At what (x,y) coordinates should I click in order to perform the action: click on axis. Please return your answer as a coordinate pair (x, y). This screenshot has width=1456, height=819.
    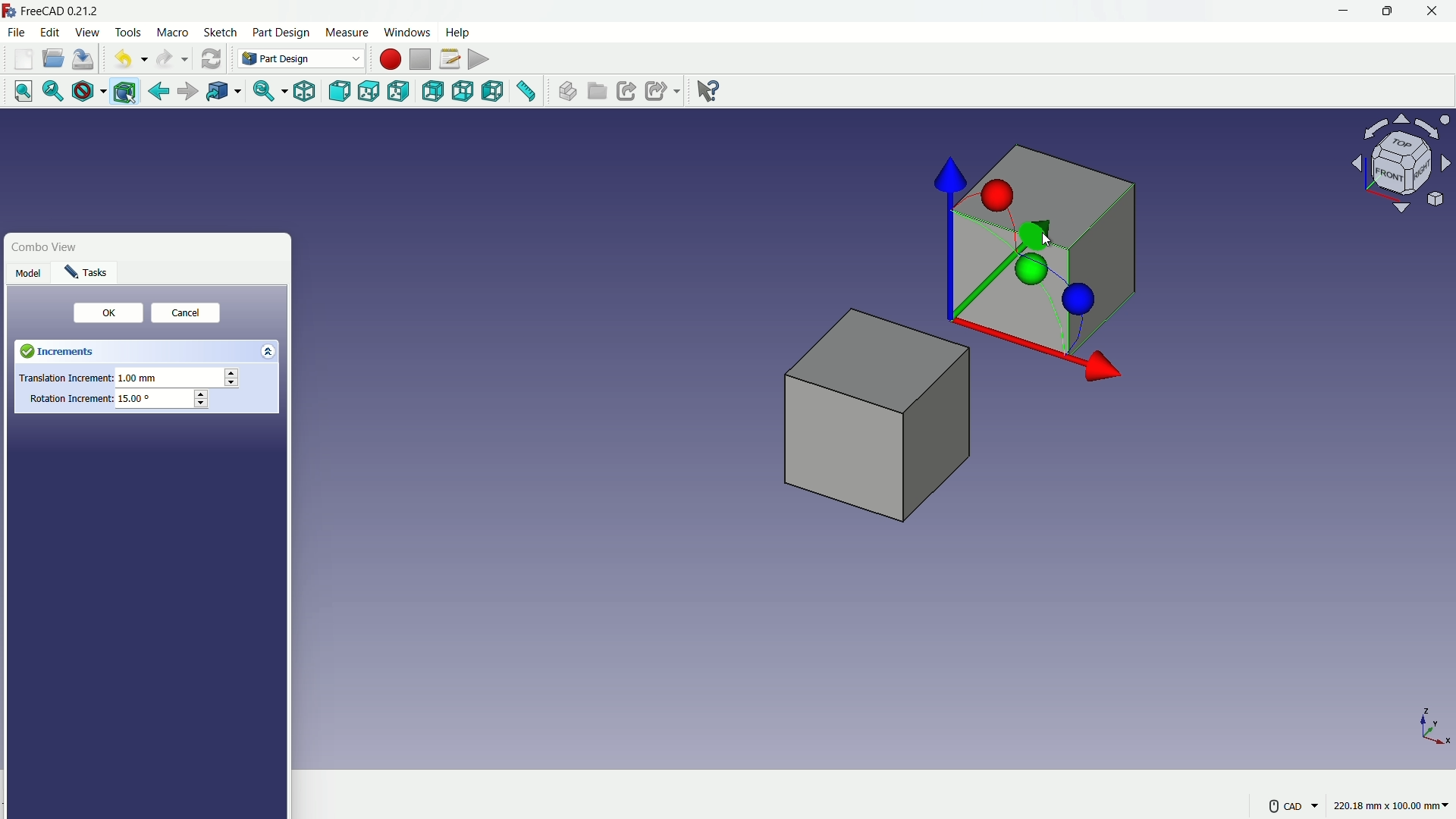
    Looking at the image, I should click on (1435, 726).